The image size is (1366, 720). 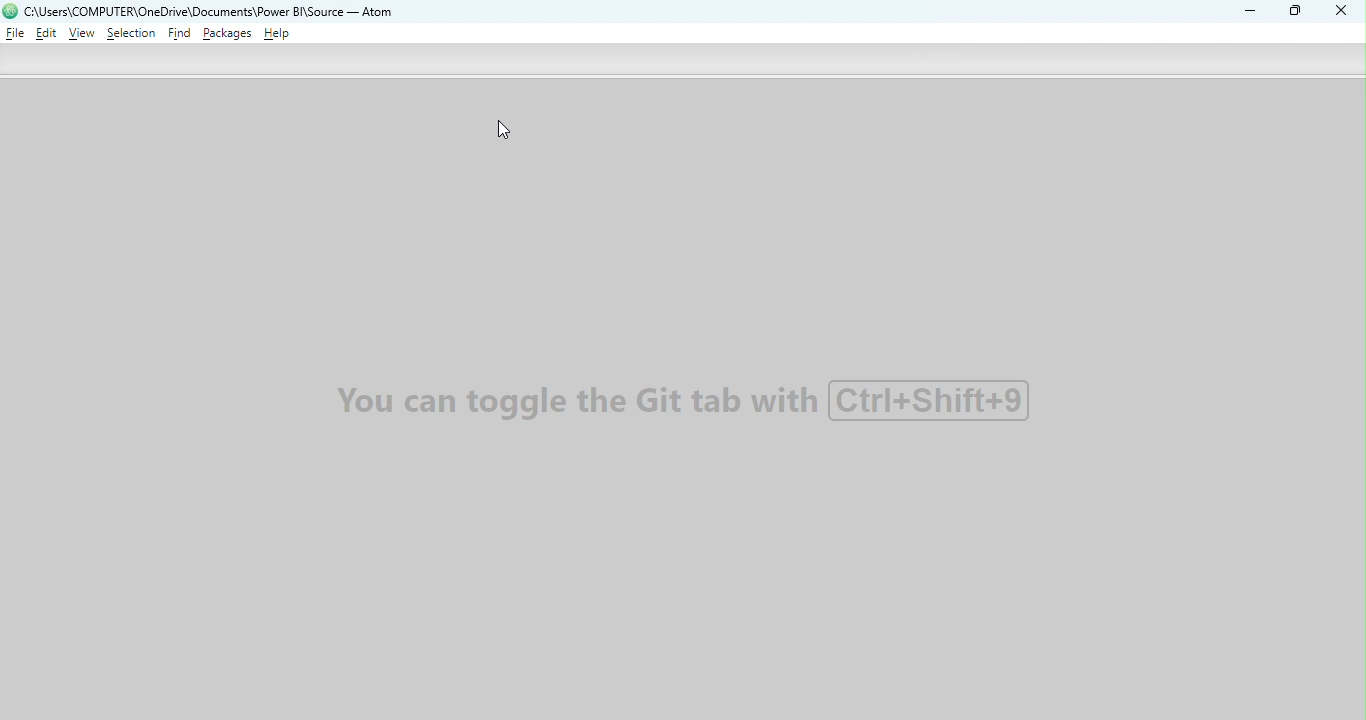 I want to click on Edit, so click(x=45, y=35).